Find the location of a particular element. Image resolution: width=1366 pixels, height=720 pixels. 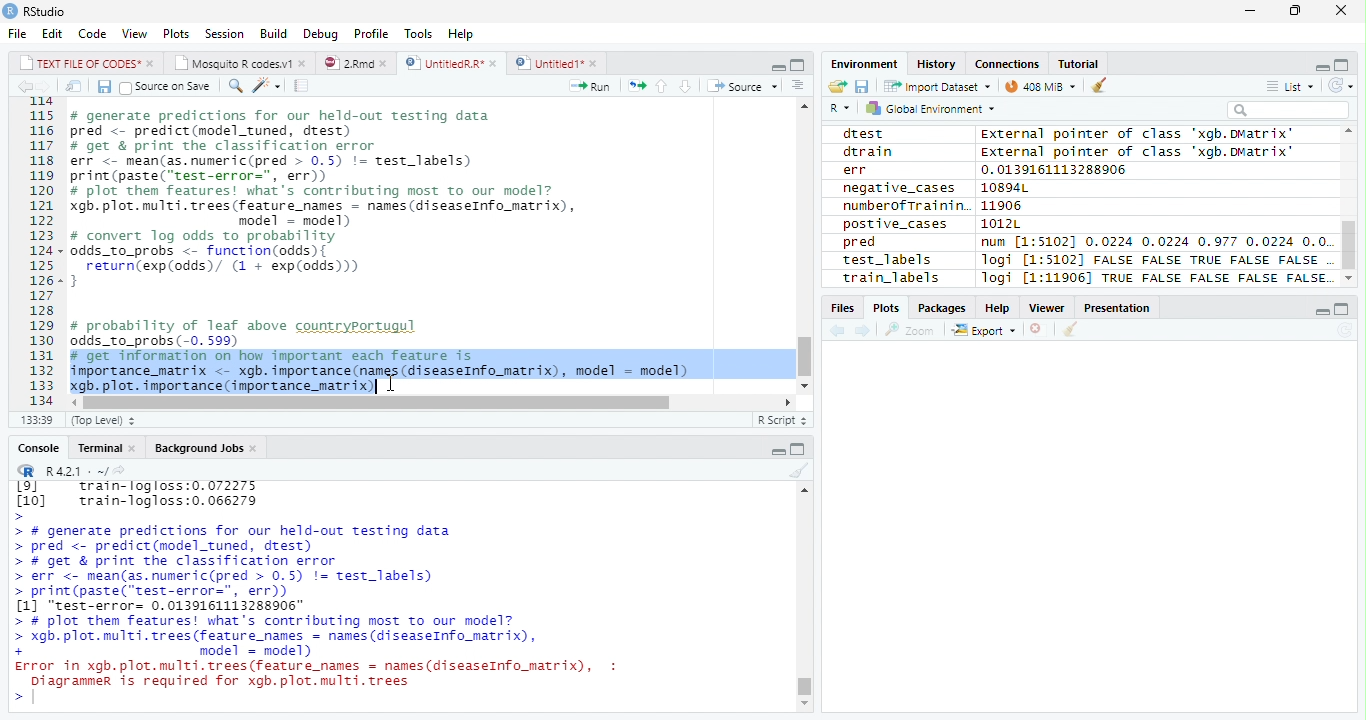

Next is located at coordinates (49, 86).